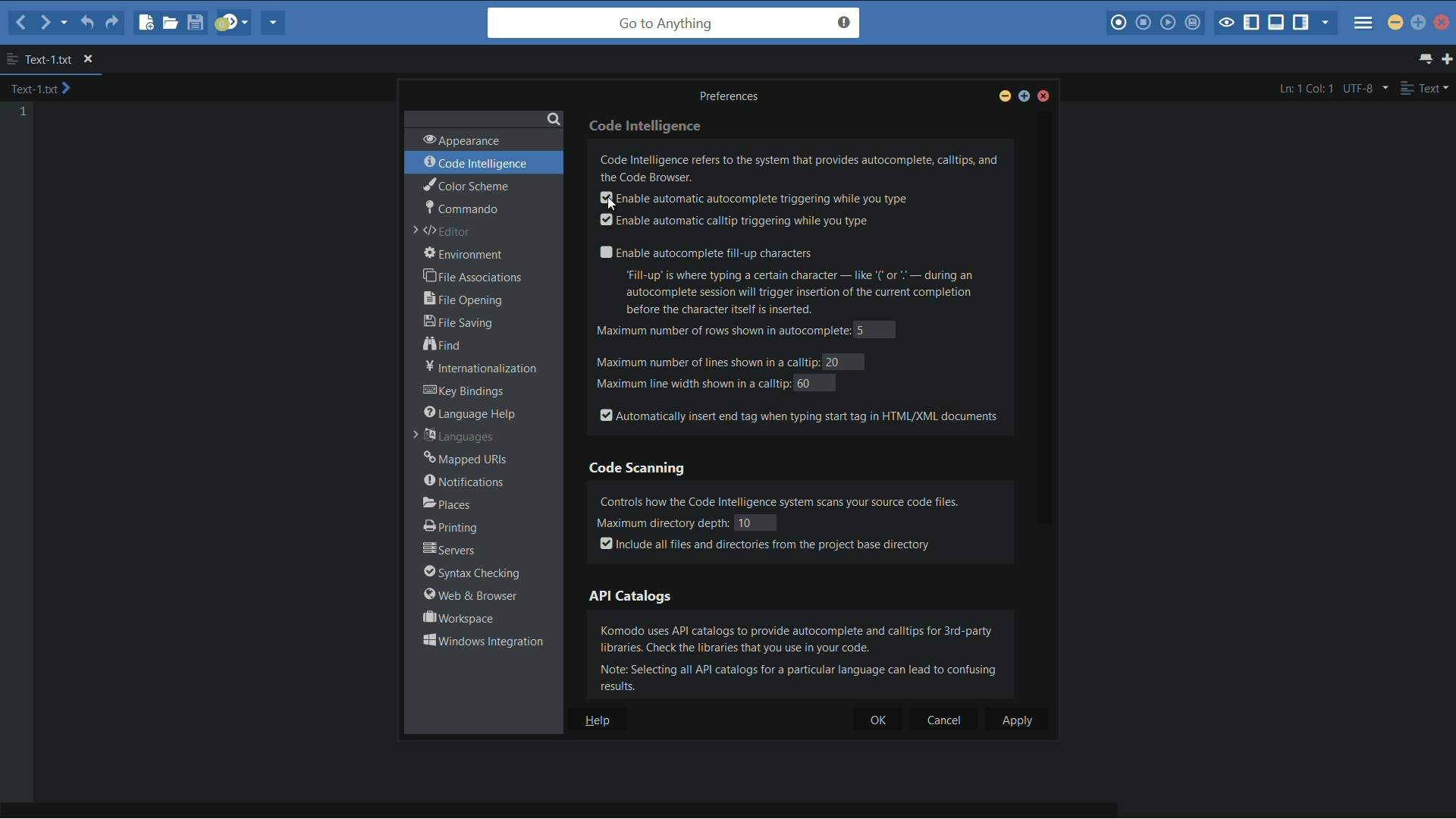 Image resolution: width=1456 pixels, height=819 pixels. What do you see at coordinates (943, 720) in the screenshot?
I see `cancel` at bounding box center [943, 720].